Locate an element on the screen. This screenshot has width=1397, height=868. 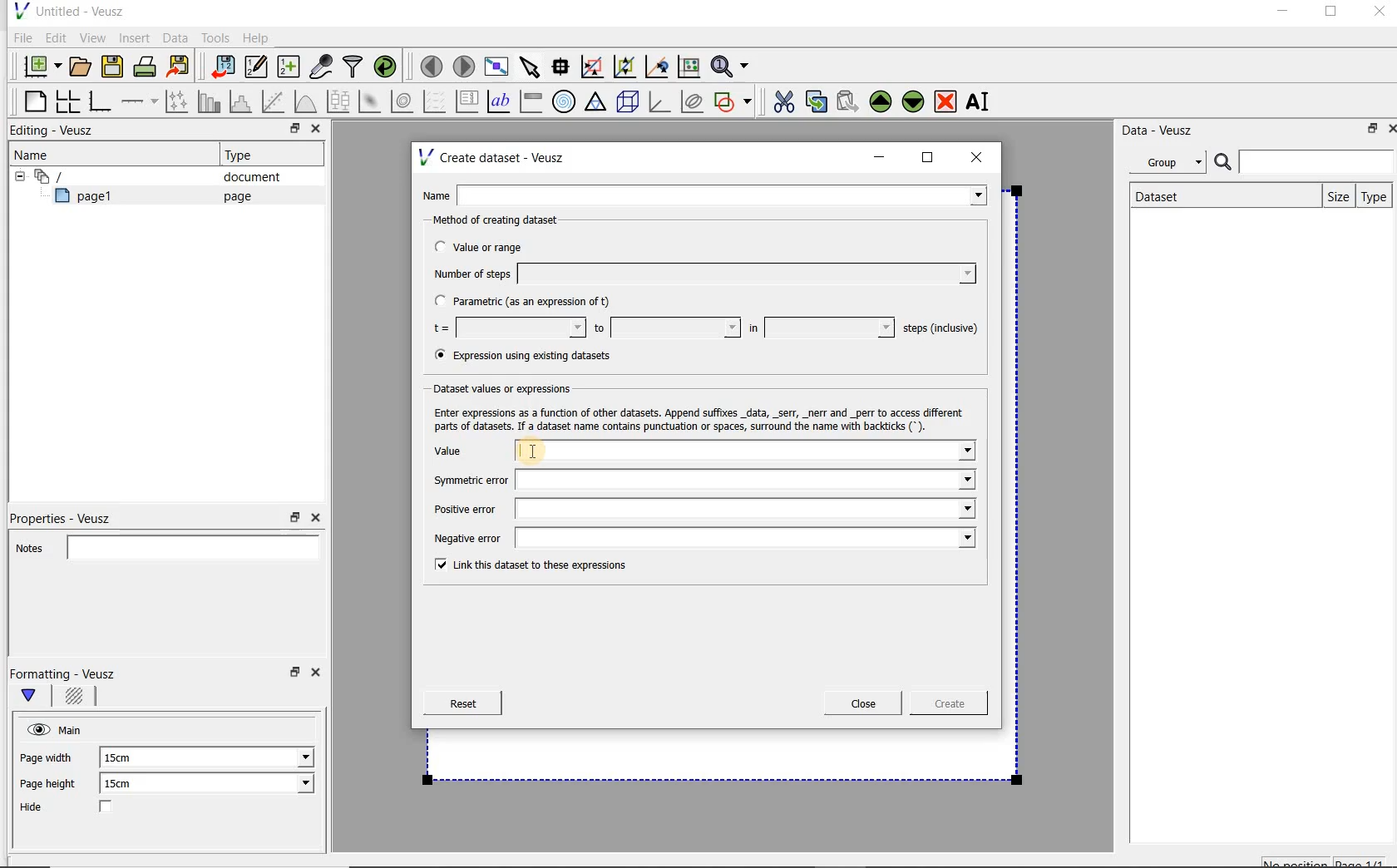
Negative error  is located at coordinates (700, 540).